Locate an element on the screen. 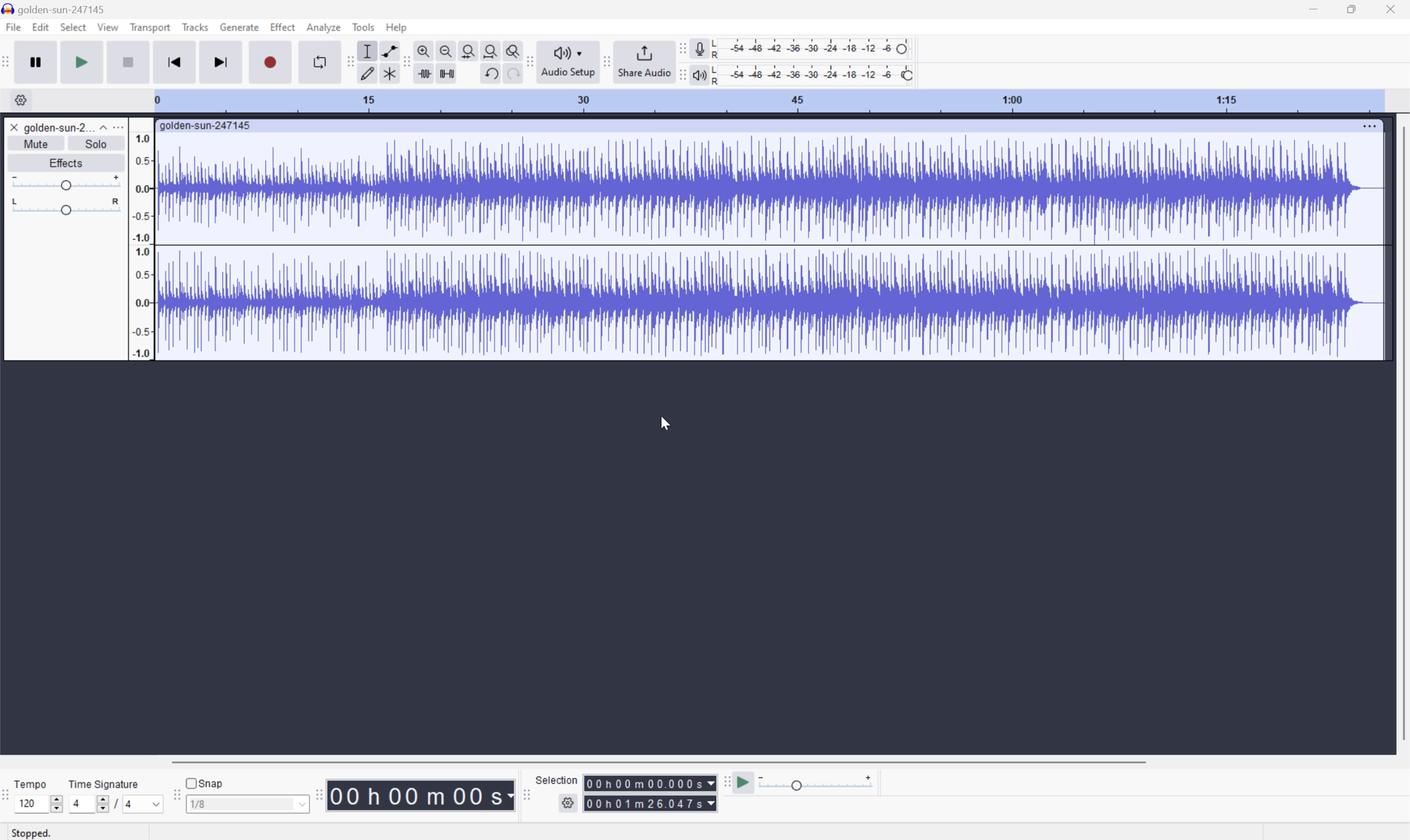  Edit is located at coordinates (40, 27).